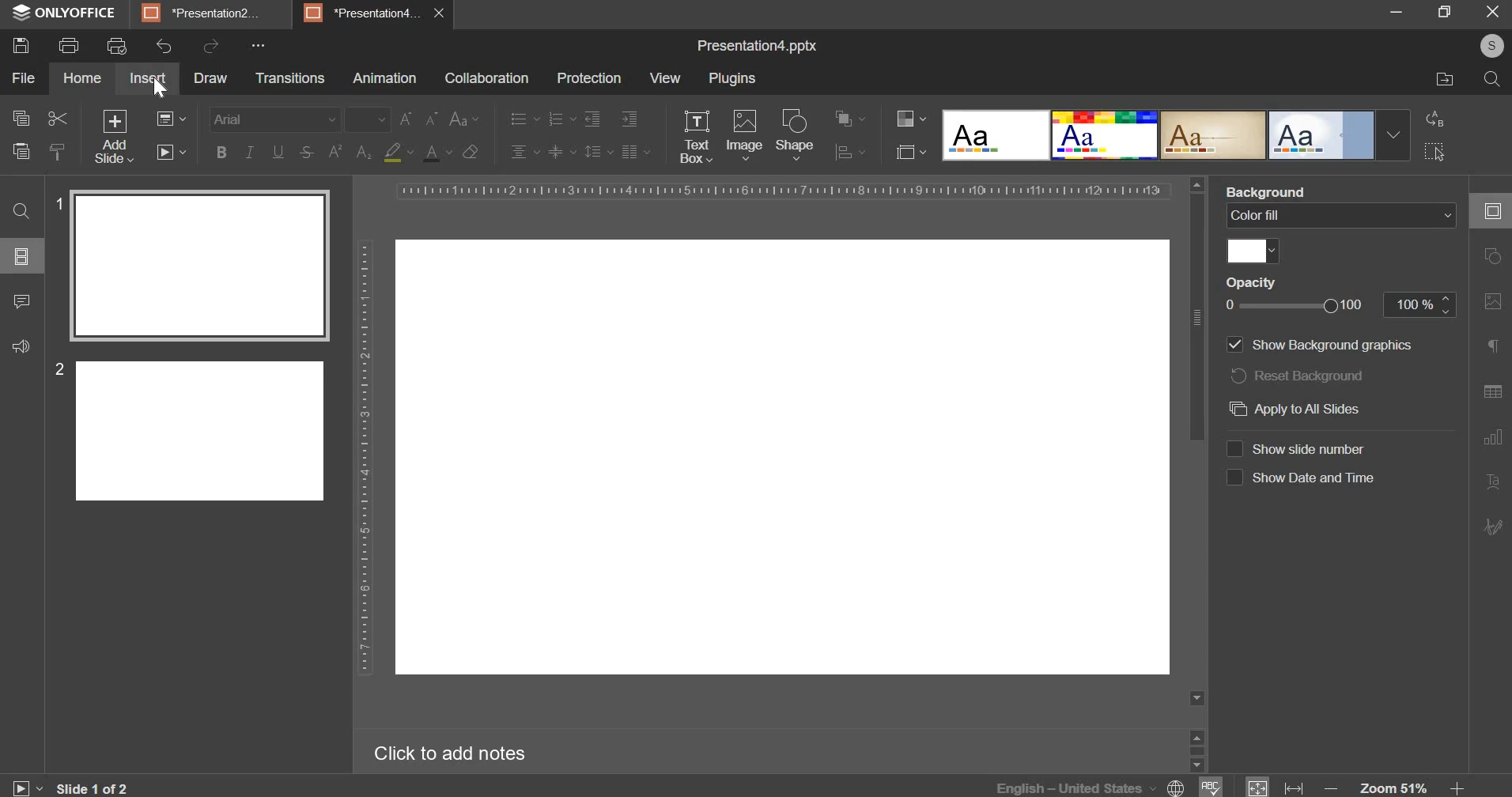 This screenshot has width=1512, height=797. I want to click on Show Date and lime, so click(1321, 477).